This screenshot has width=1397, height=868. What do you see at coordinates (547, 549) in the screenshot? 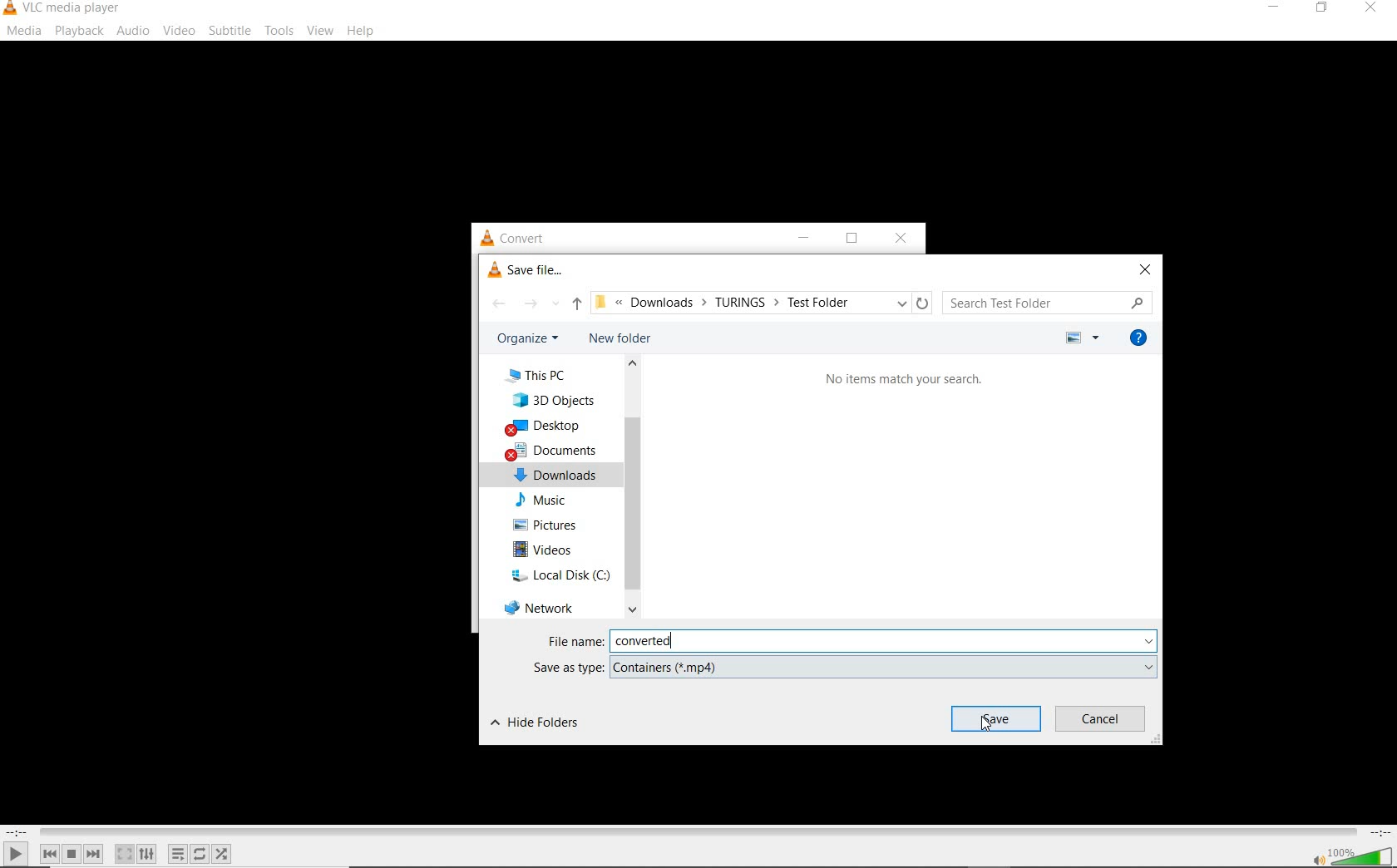
I see `videos` at bounding box center [547, 549].